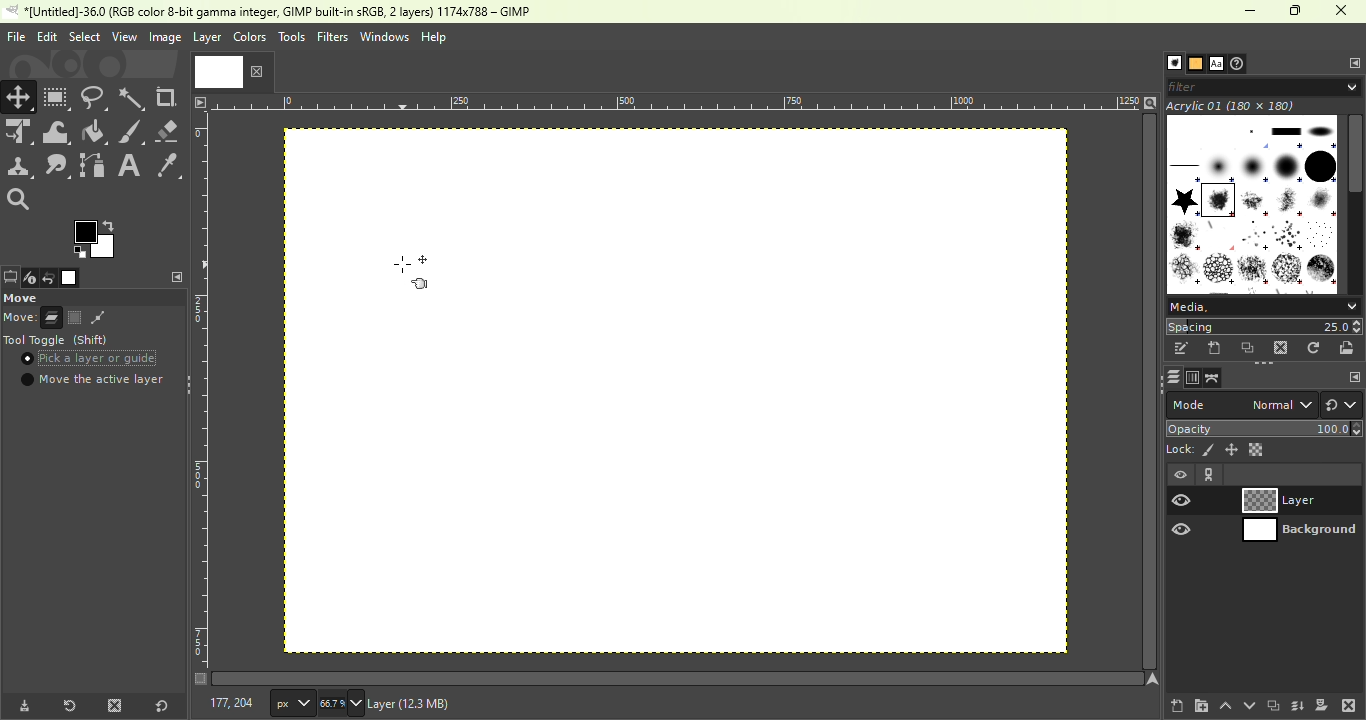 This screenshot has height=720, width=1366. I want to click on Move this layer to the bottom of the layer stack, so click(1247, 705).